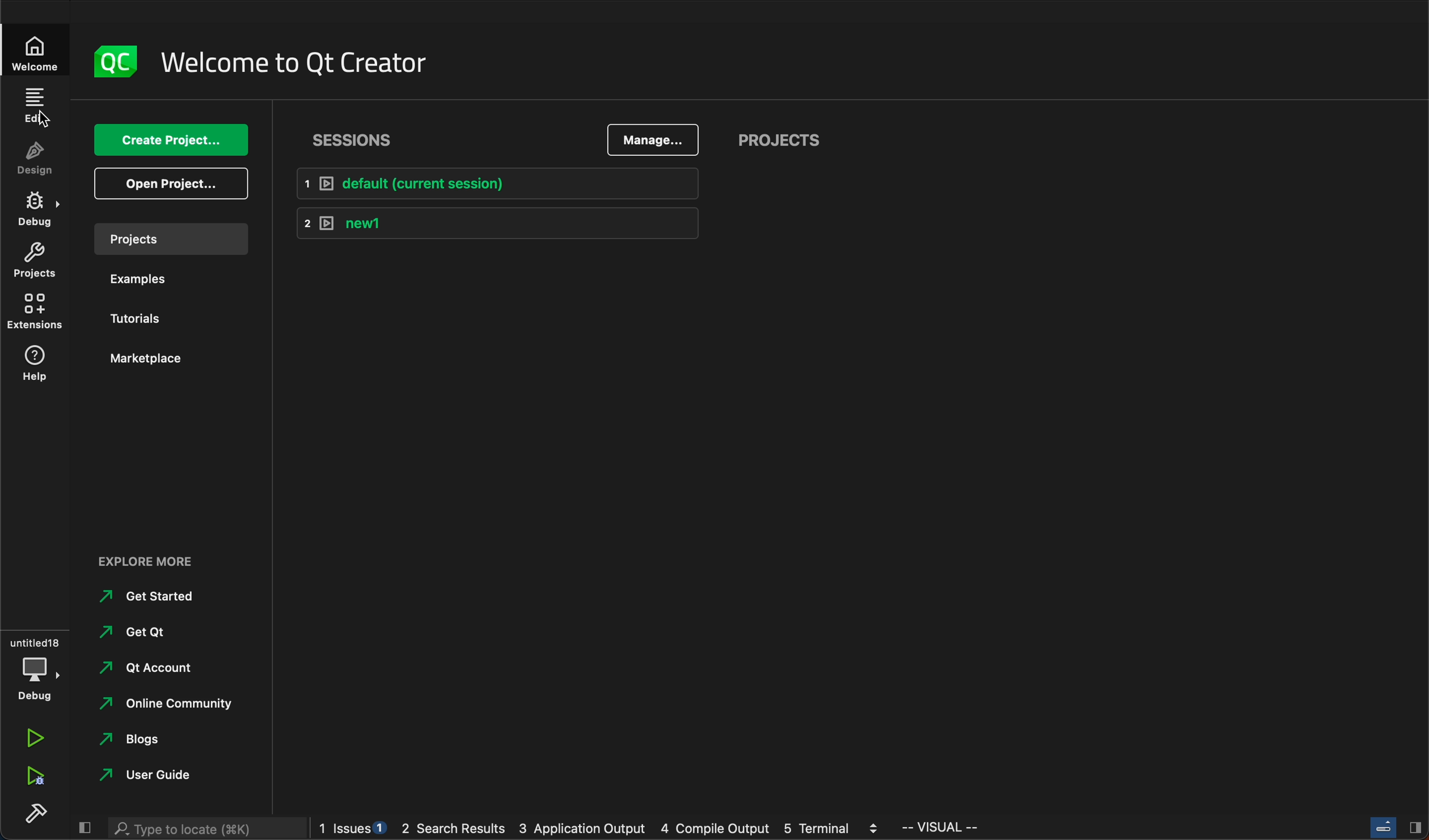 The image size is (1429, 840). Describe the element at coordinates (603, 830) in the screenshot. I see `logs` at that location.